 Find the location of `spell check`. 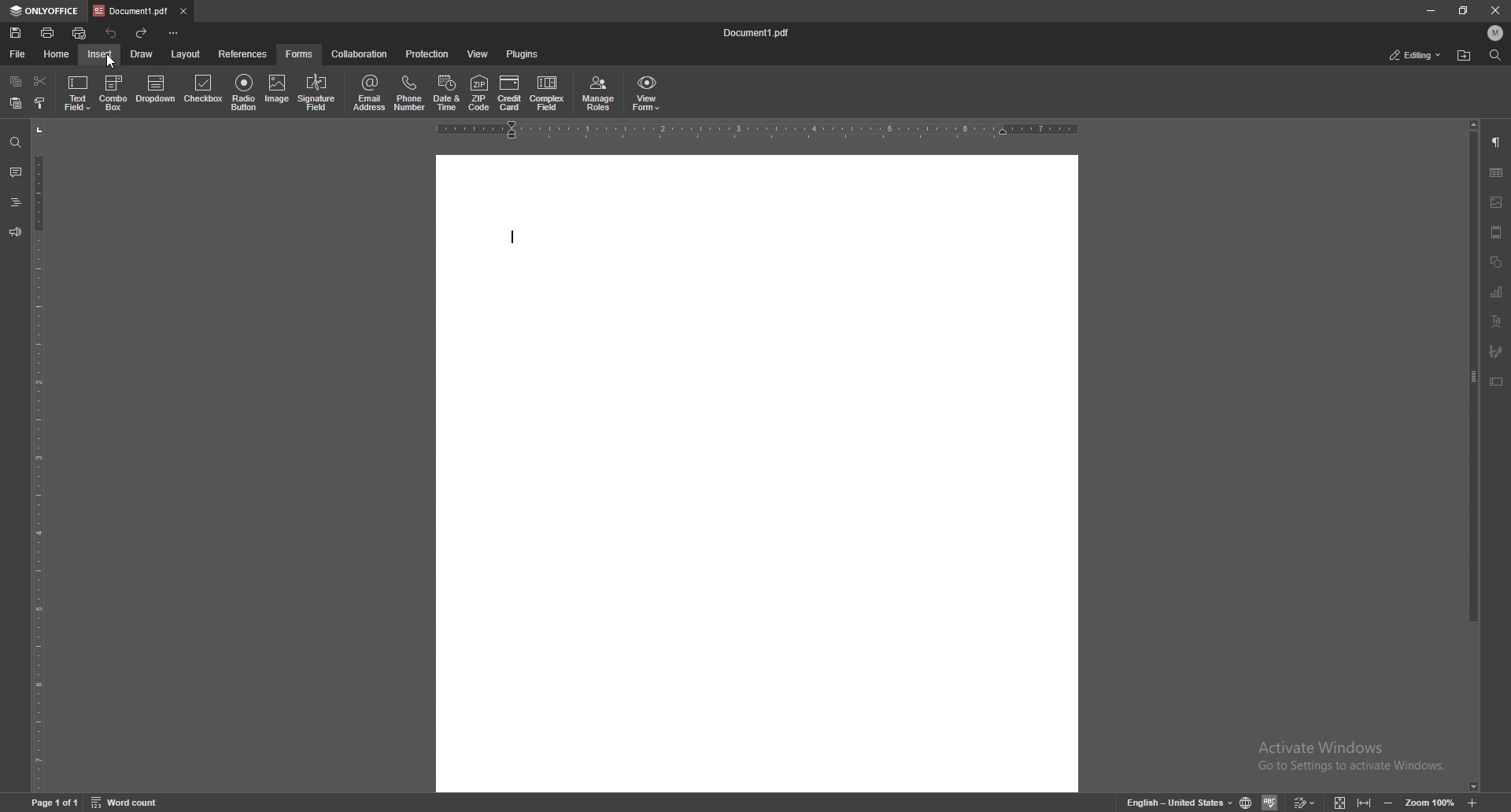

spell check is located at coordinates (1270, 803).